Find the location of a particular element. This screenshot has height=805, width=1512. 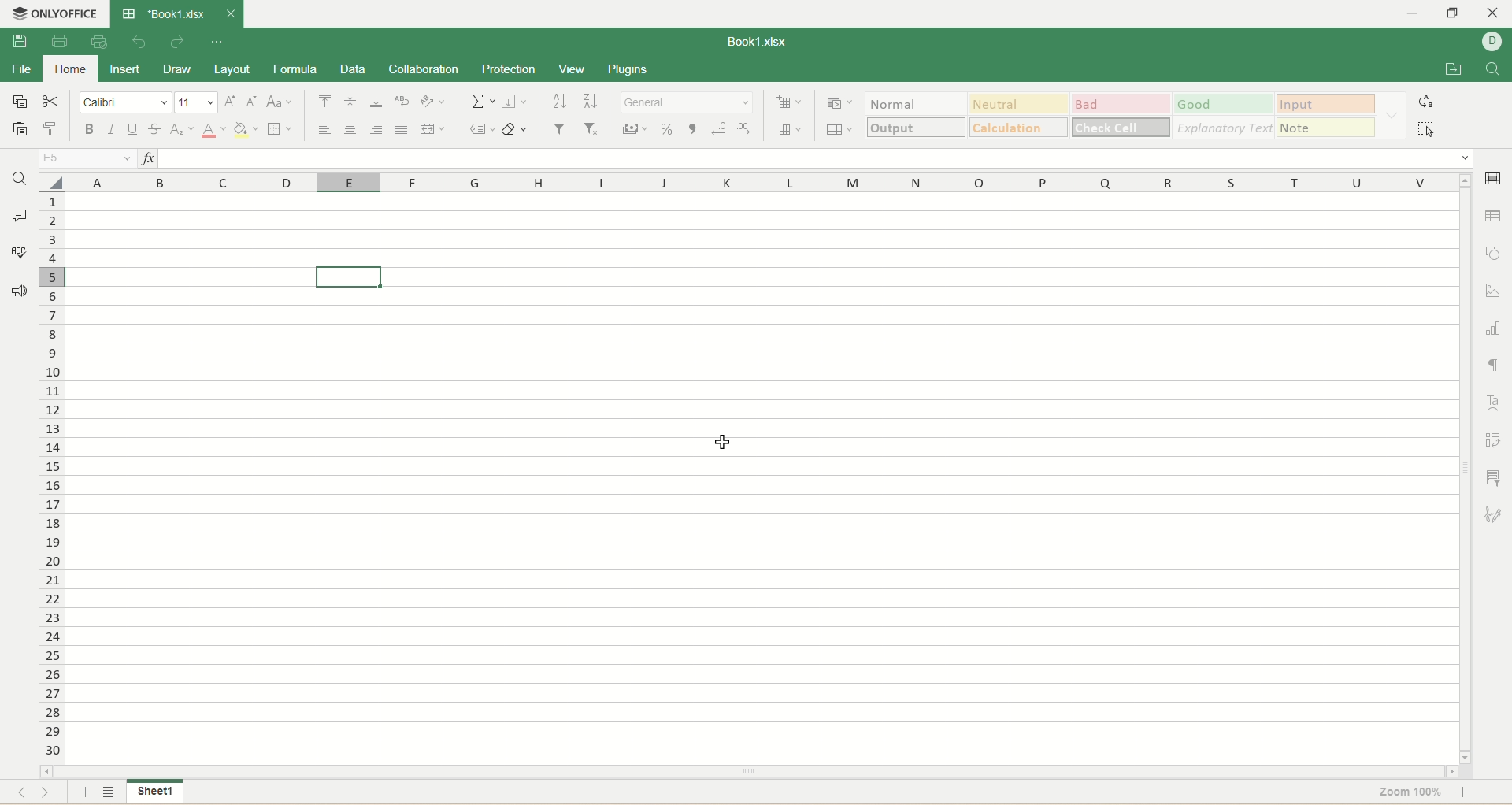

draw is located at coordinates (182, 70).